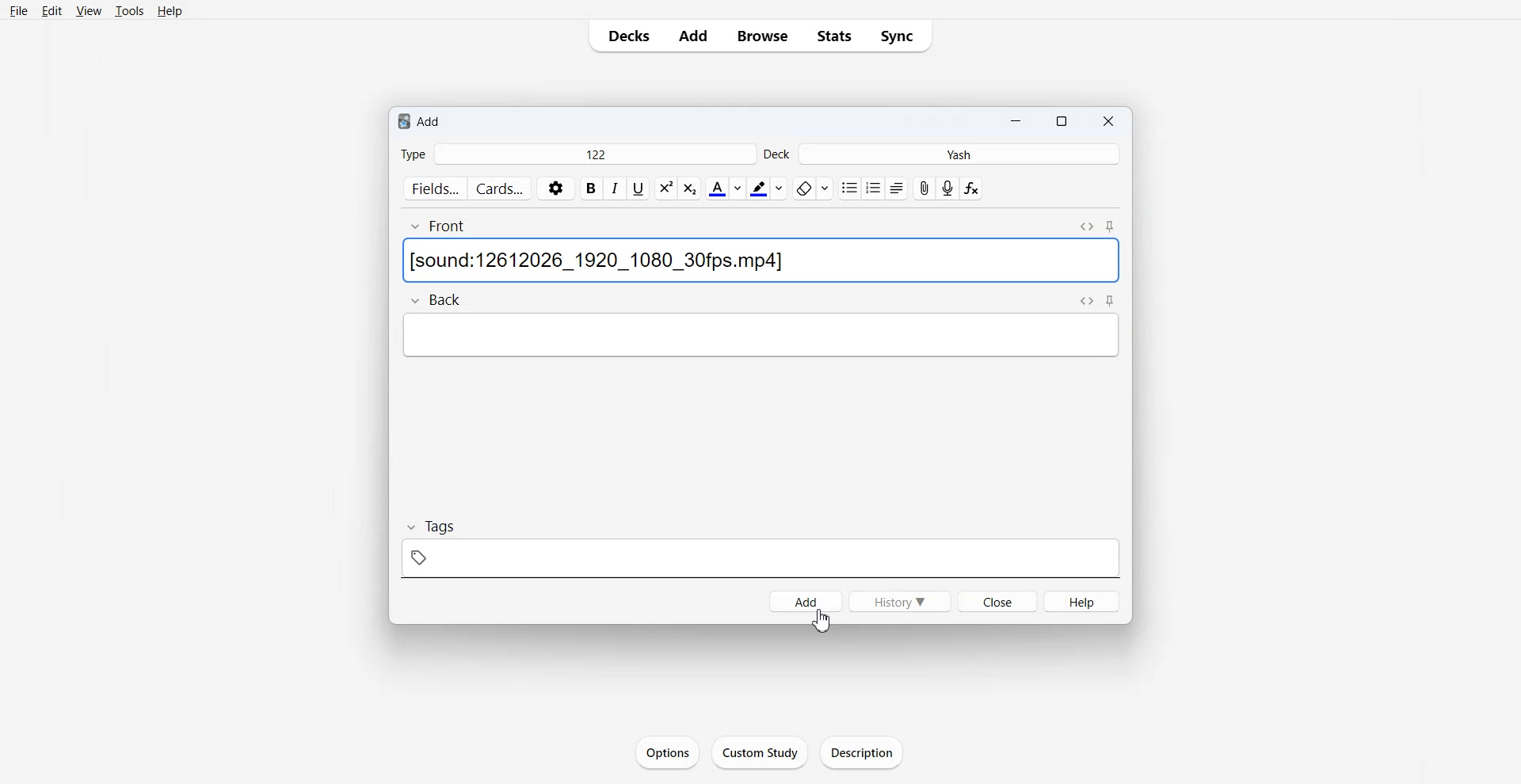 Image resolution: width=1521 pixels, height=784 pixels. I want to click on Browse, so click(764, 36).